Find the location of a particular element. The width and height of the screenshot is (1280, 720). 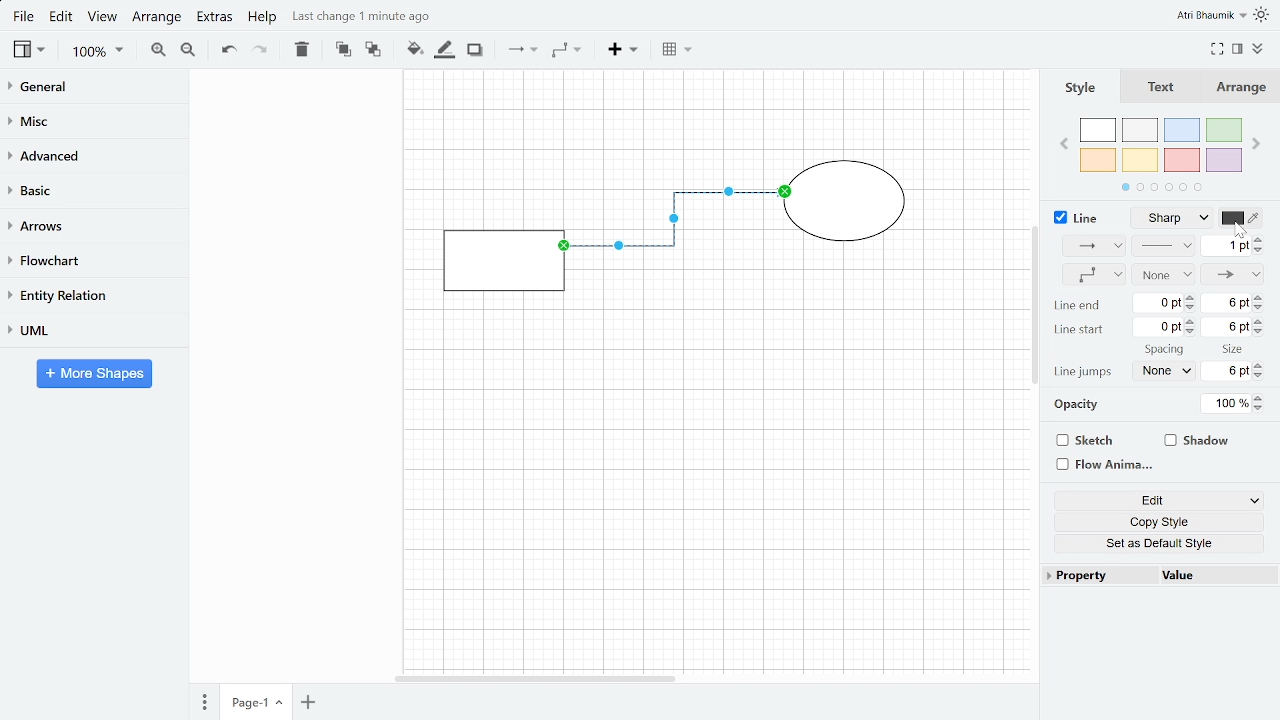

Vertical scrollbar is located at coordinates (1035, 304).